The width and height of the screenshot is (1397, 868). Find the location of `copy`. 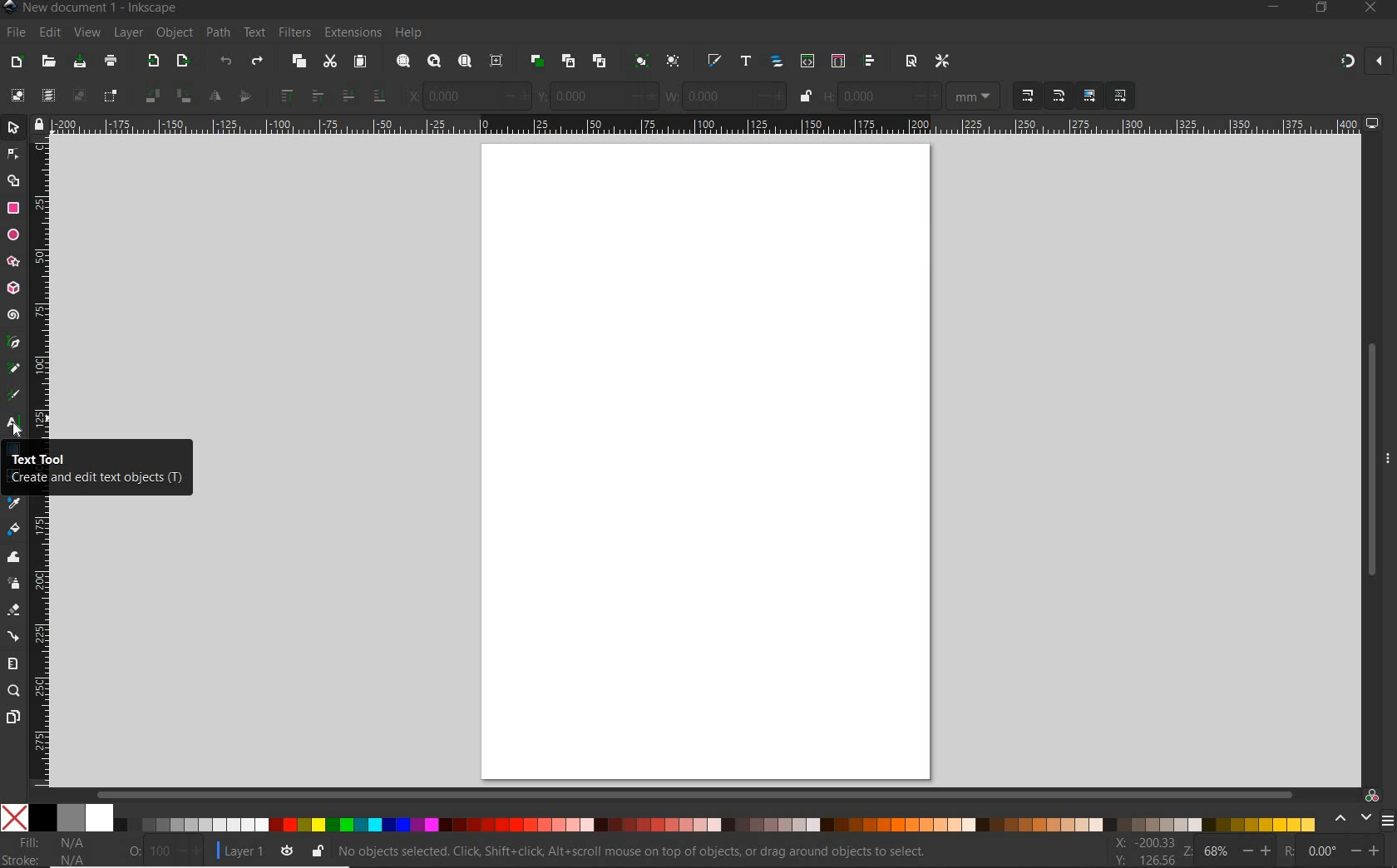

copy is located at coordinates (299, 62).